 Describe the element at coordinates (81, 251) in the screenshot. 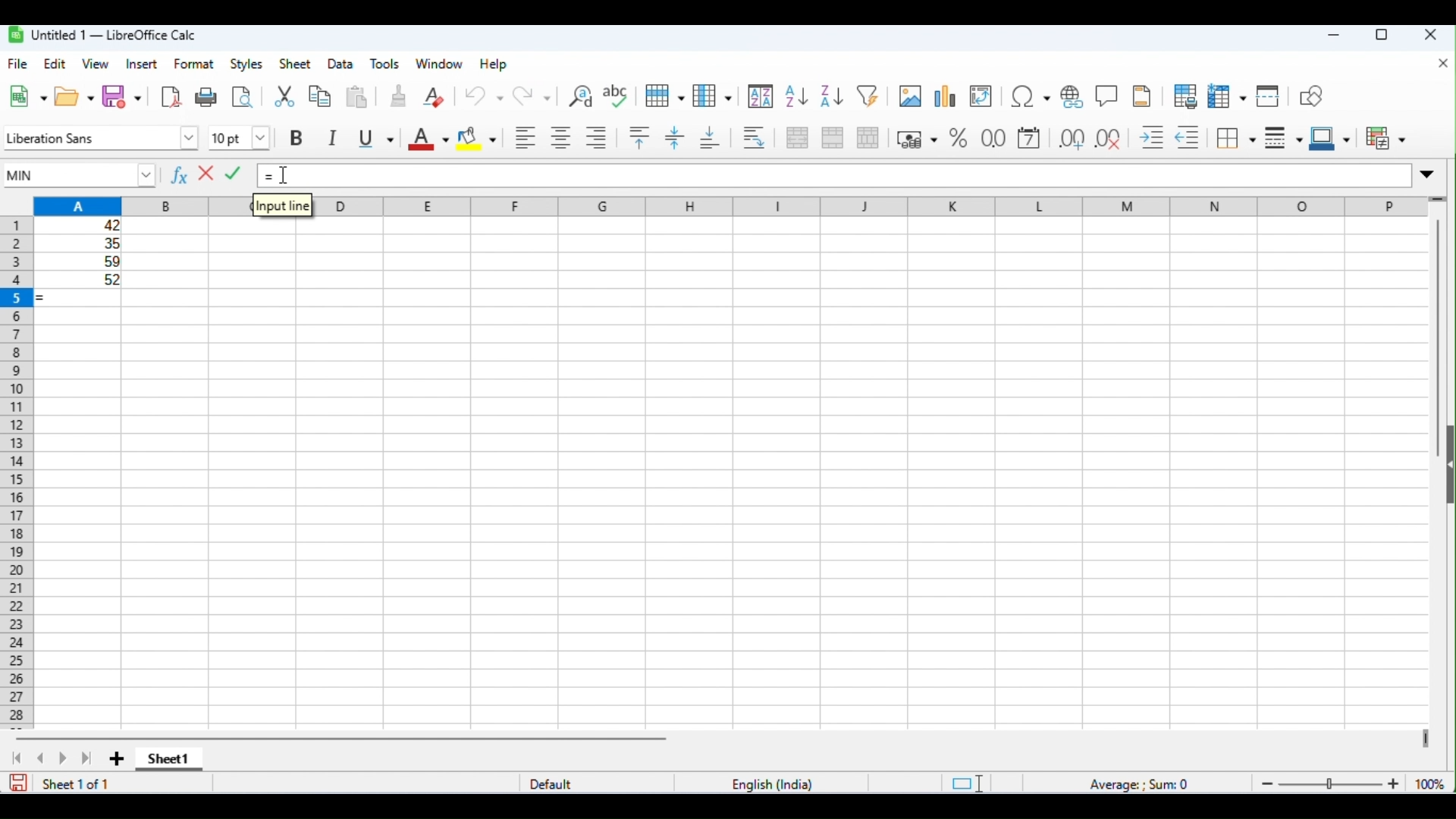

I see `range of cells` at that location.